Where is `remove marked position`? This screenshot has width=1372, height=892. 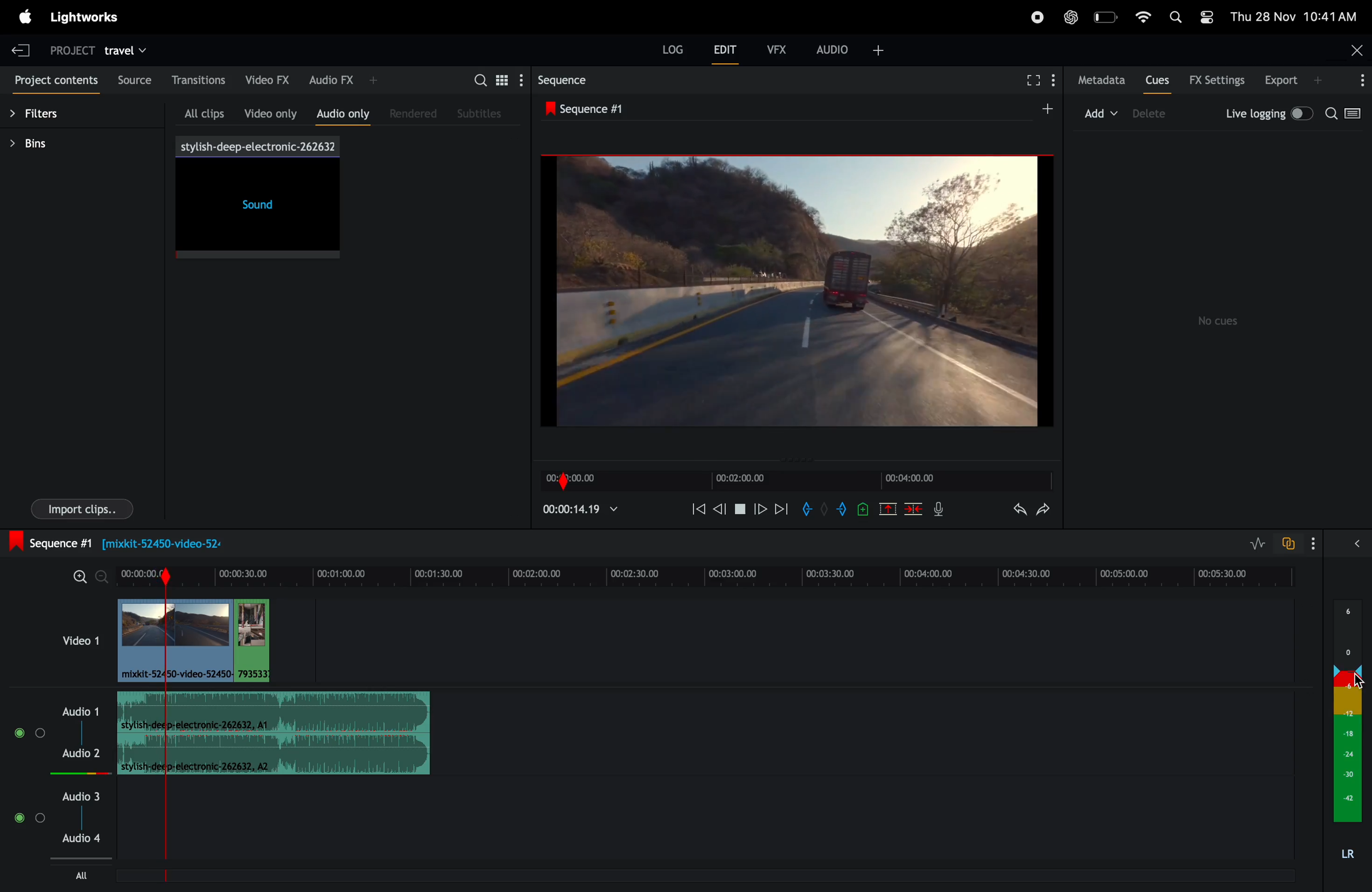
remove marked position is located at coordinates (887, 508).